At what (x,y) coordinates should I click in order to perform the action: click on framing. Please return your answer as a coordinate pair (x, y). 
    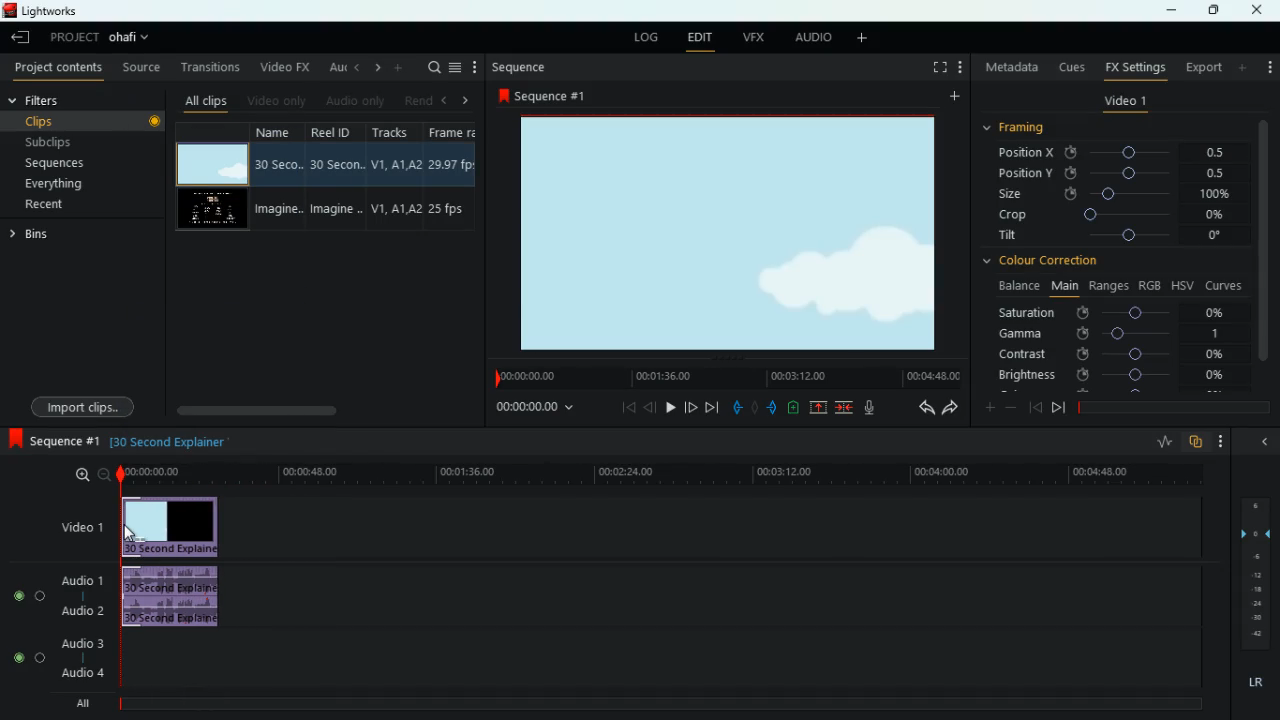
    Looking at the image, I should click on (1020, 127).